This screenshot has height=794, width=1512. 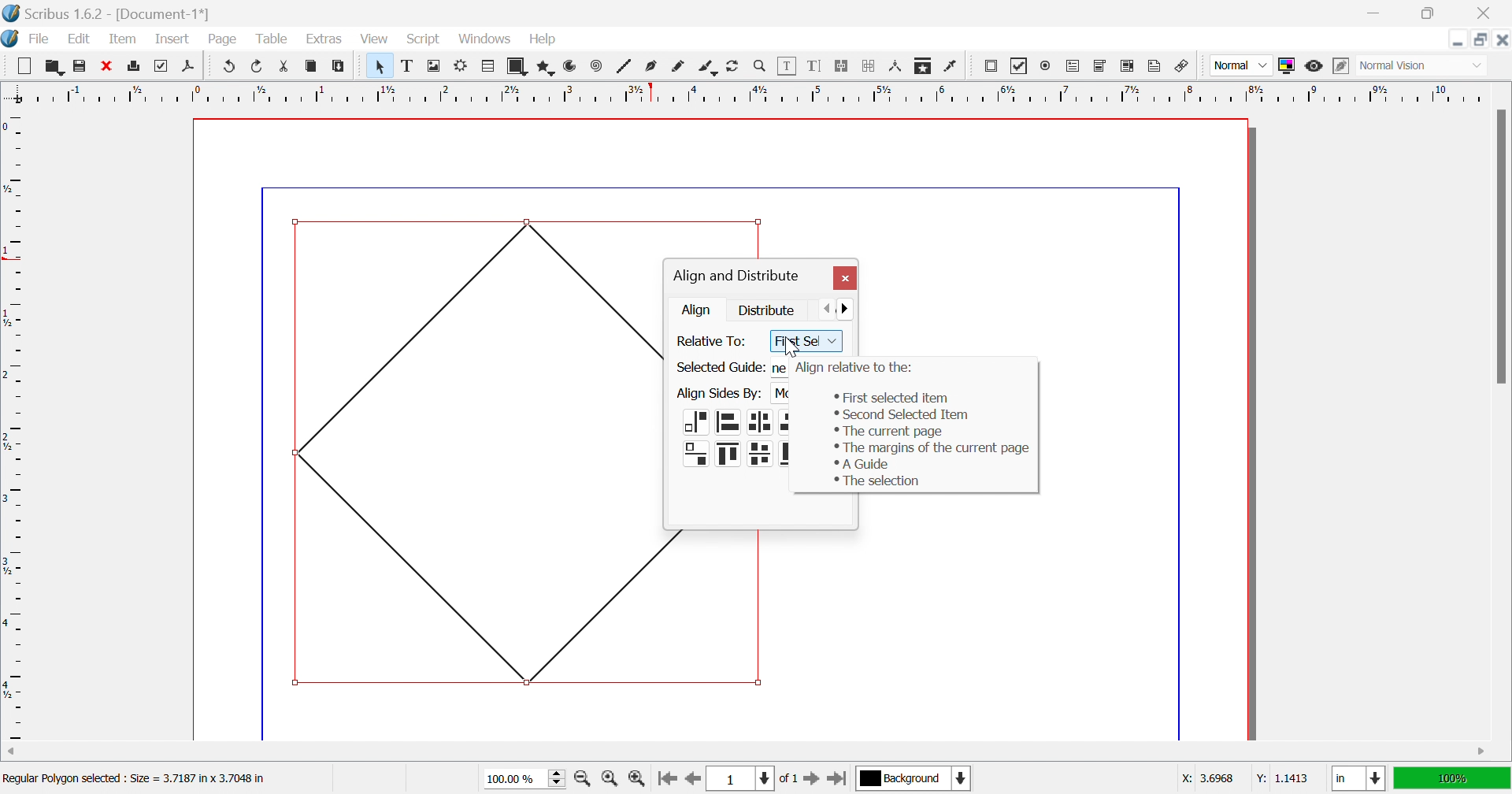 I want to click on The margins of the current page, so click(x=934, y=449).